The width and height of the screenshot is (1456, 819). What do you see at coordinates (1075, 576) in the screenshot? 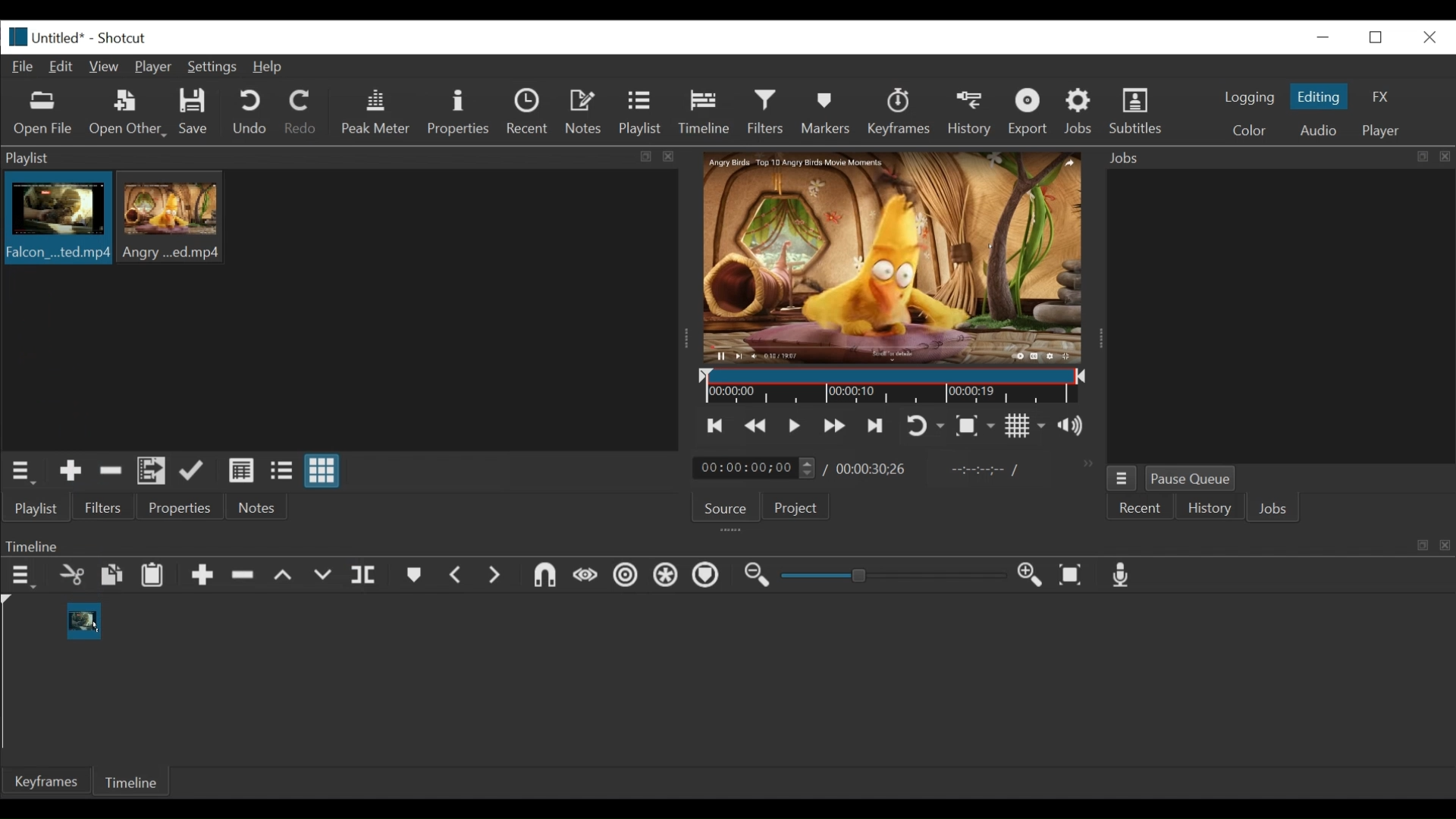
I see `Zoom timeline to fit` at bounding box center [1075, 576].